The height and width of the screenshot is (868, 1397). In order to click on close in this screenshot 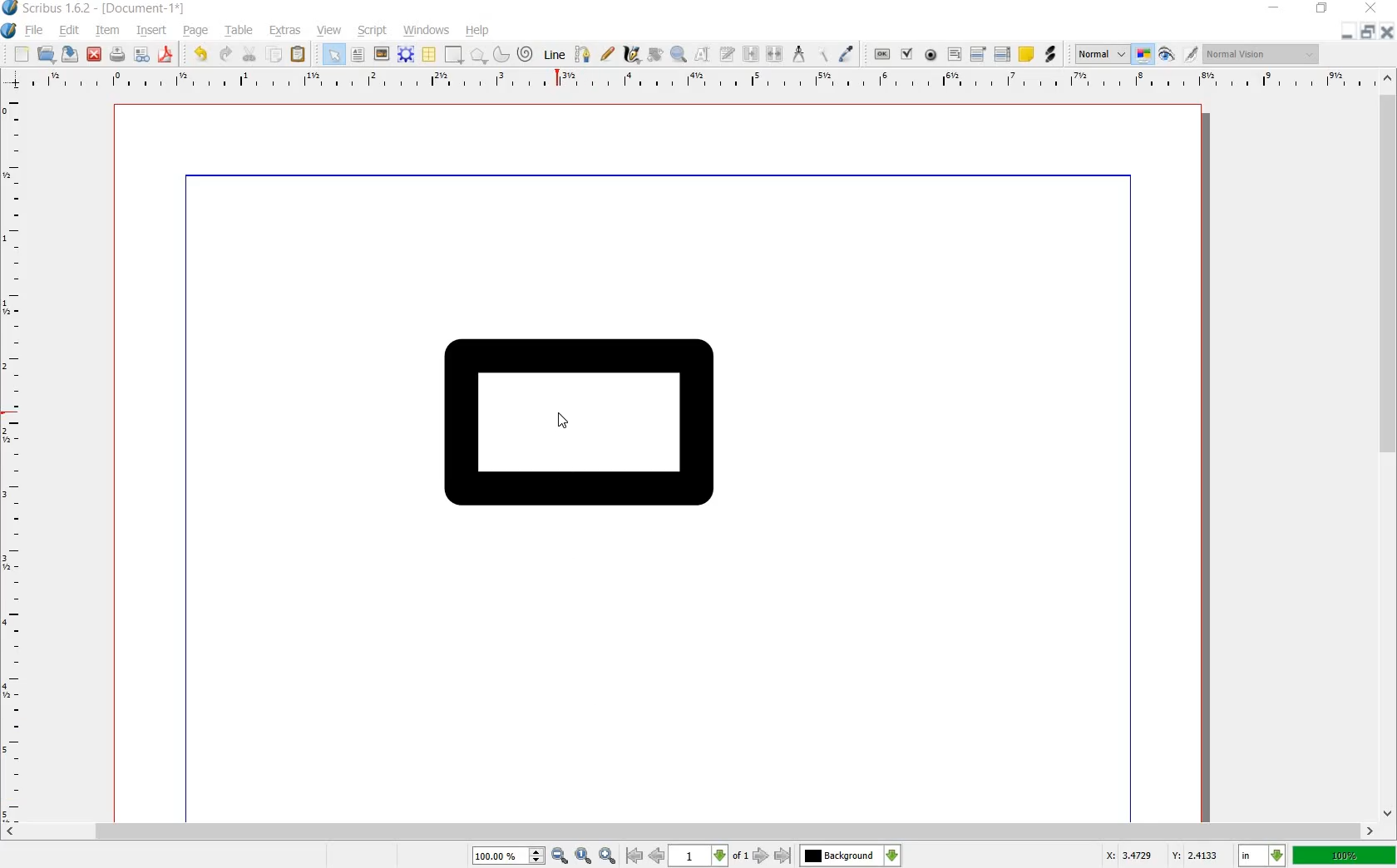, I will do `click(1370, 8)`.